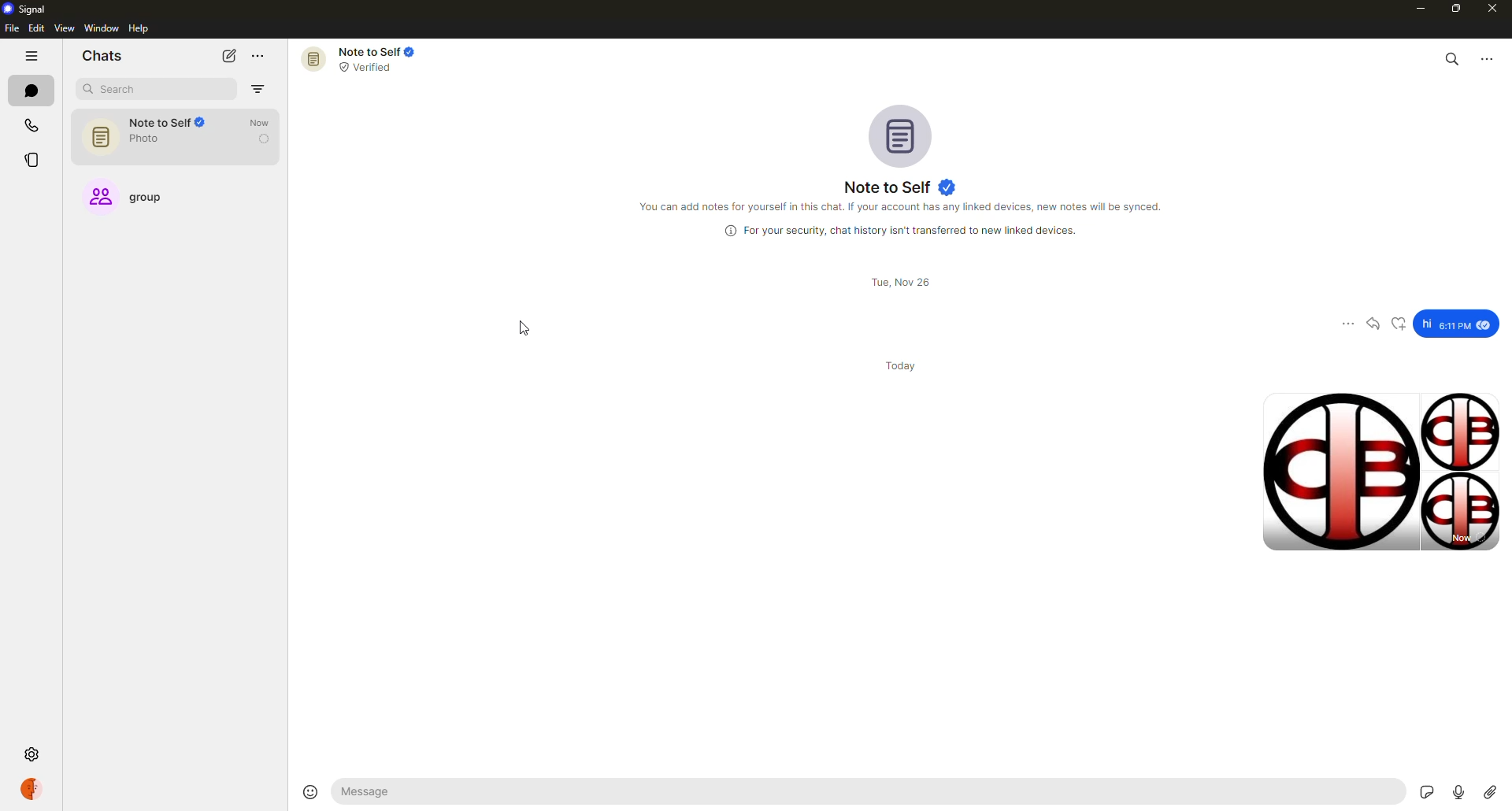 This screenshot has height=811, width=1512. What do you see at coordinates (1377, 470) in the screenshot?
I see `images sent` at bounding box center [1377, 470].